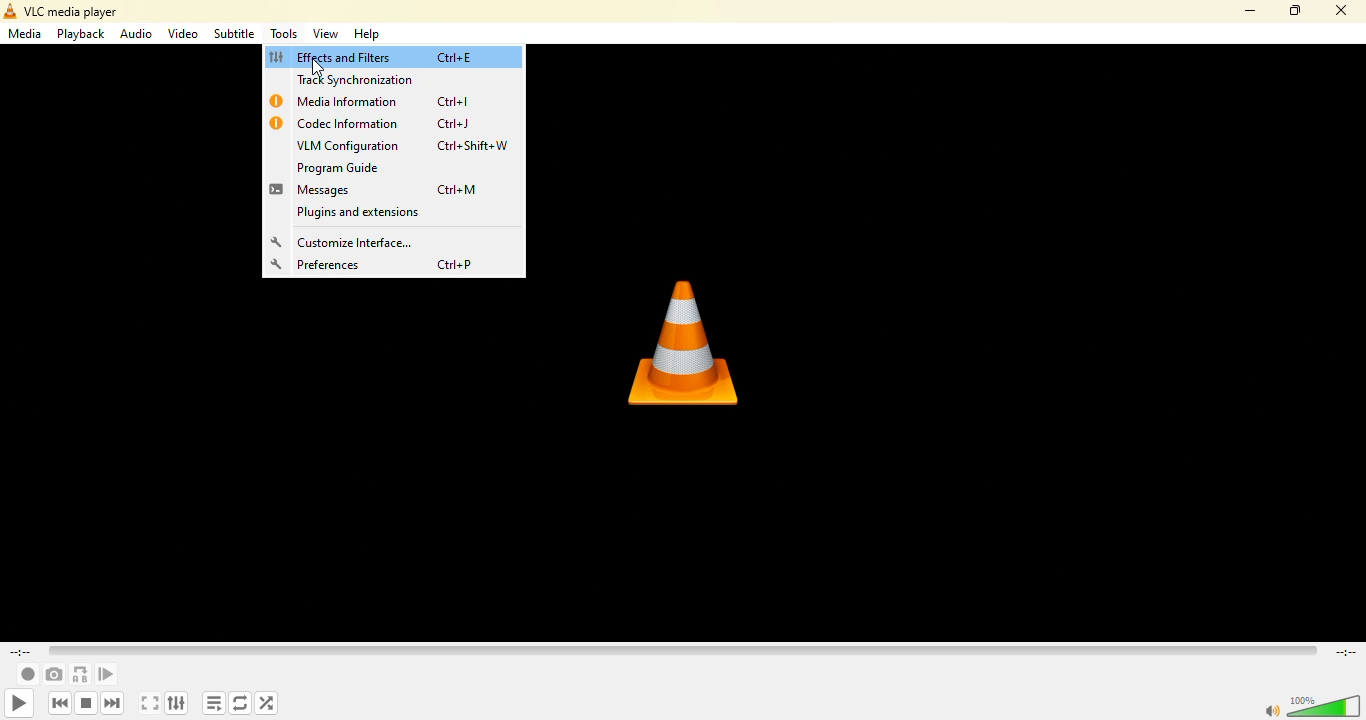 The height and width of the screenshot is (720, 1366). Describe the element at coordinates (19, 704) in the screenshot. I see `play` at that location.